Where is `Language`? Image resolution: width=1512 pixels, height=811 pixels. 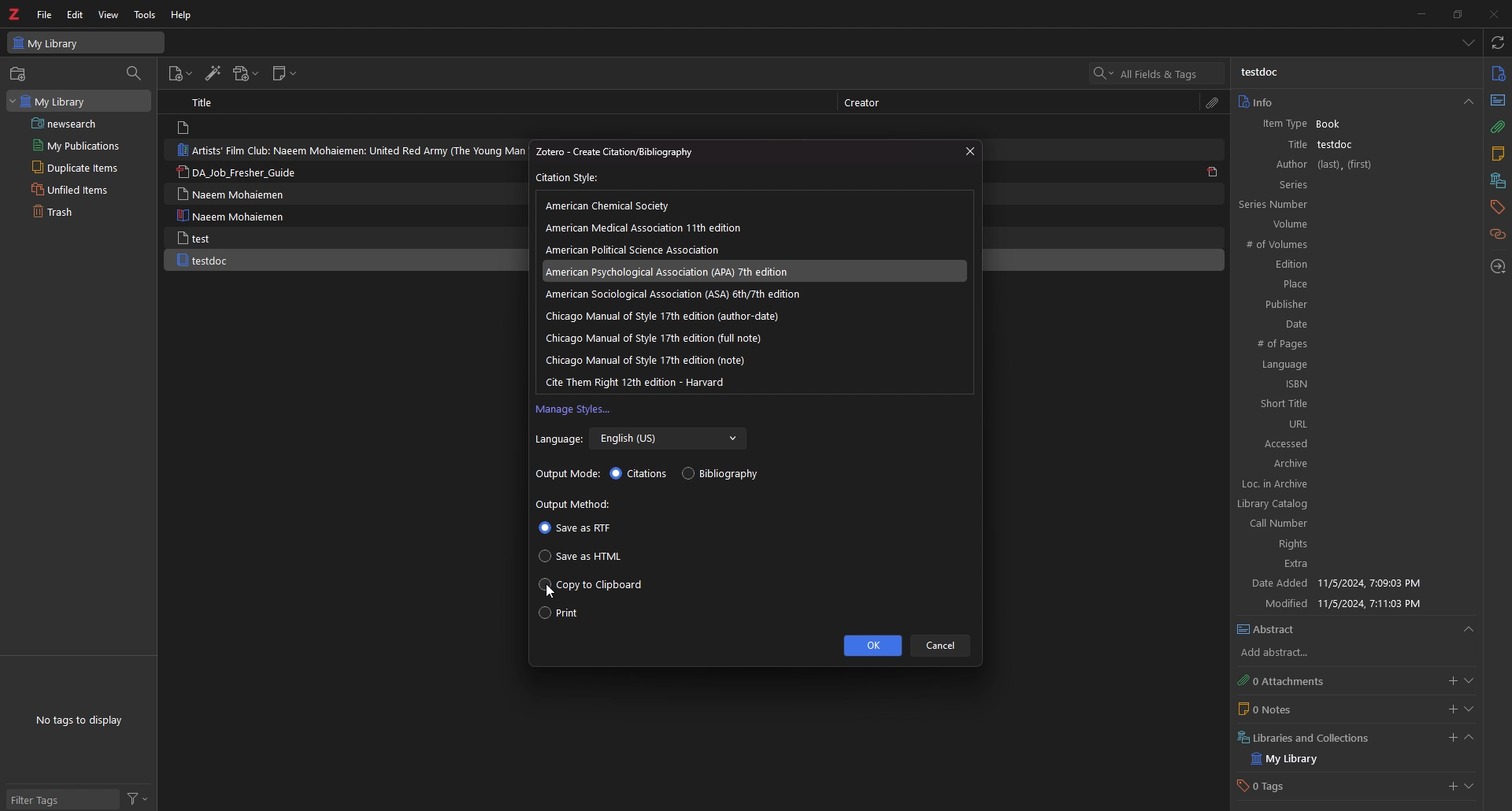
Language is located at coordinates (558, 440).